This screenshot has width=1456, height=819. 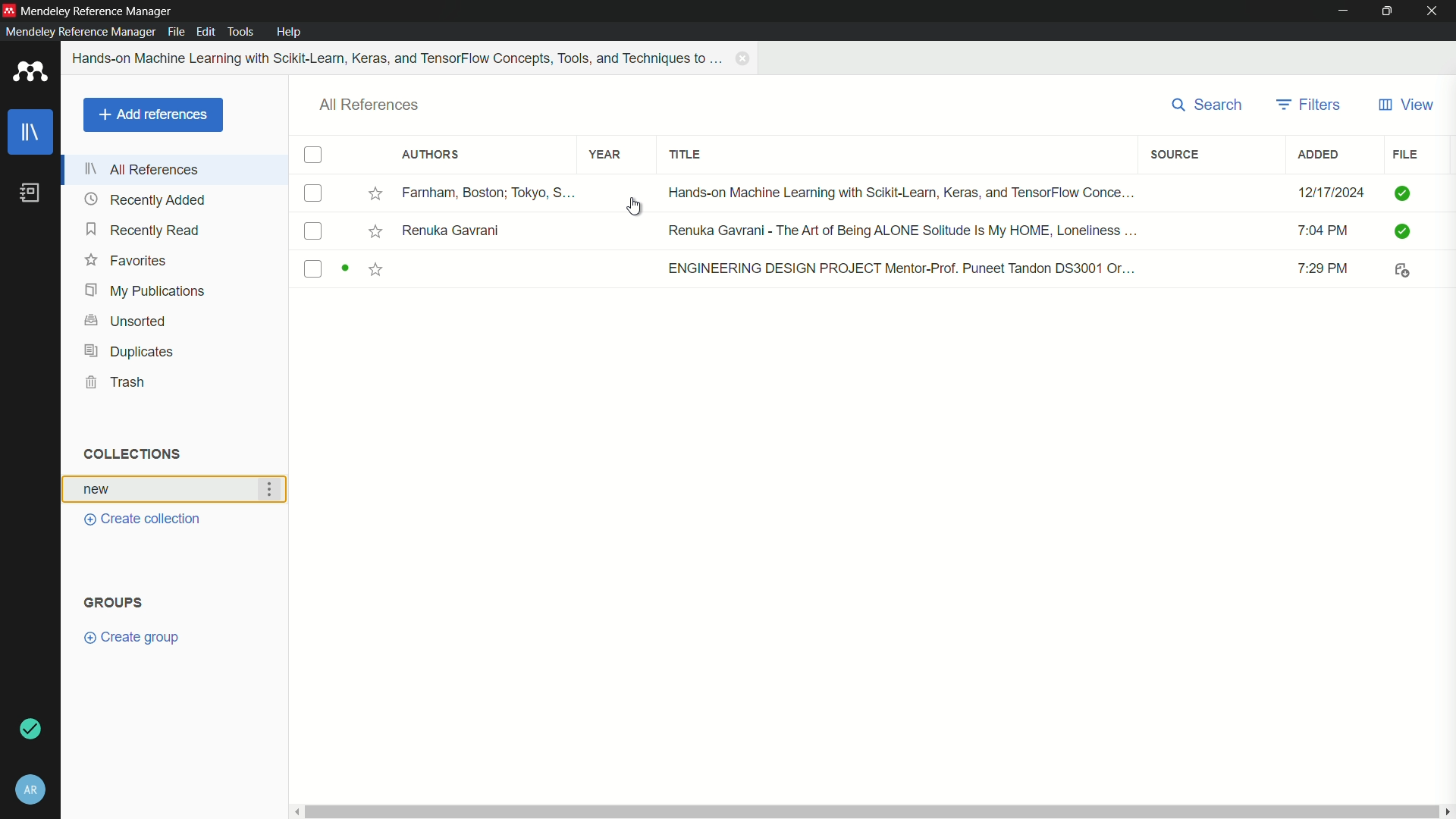 What do you see at coordinates (126, 260) in the screenshot?
I see `favorites` at bounding box center [126, 260].